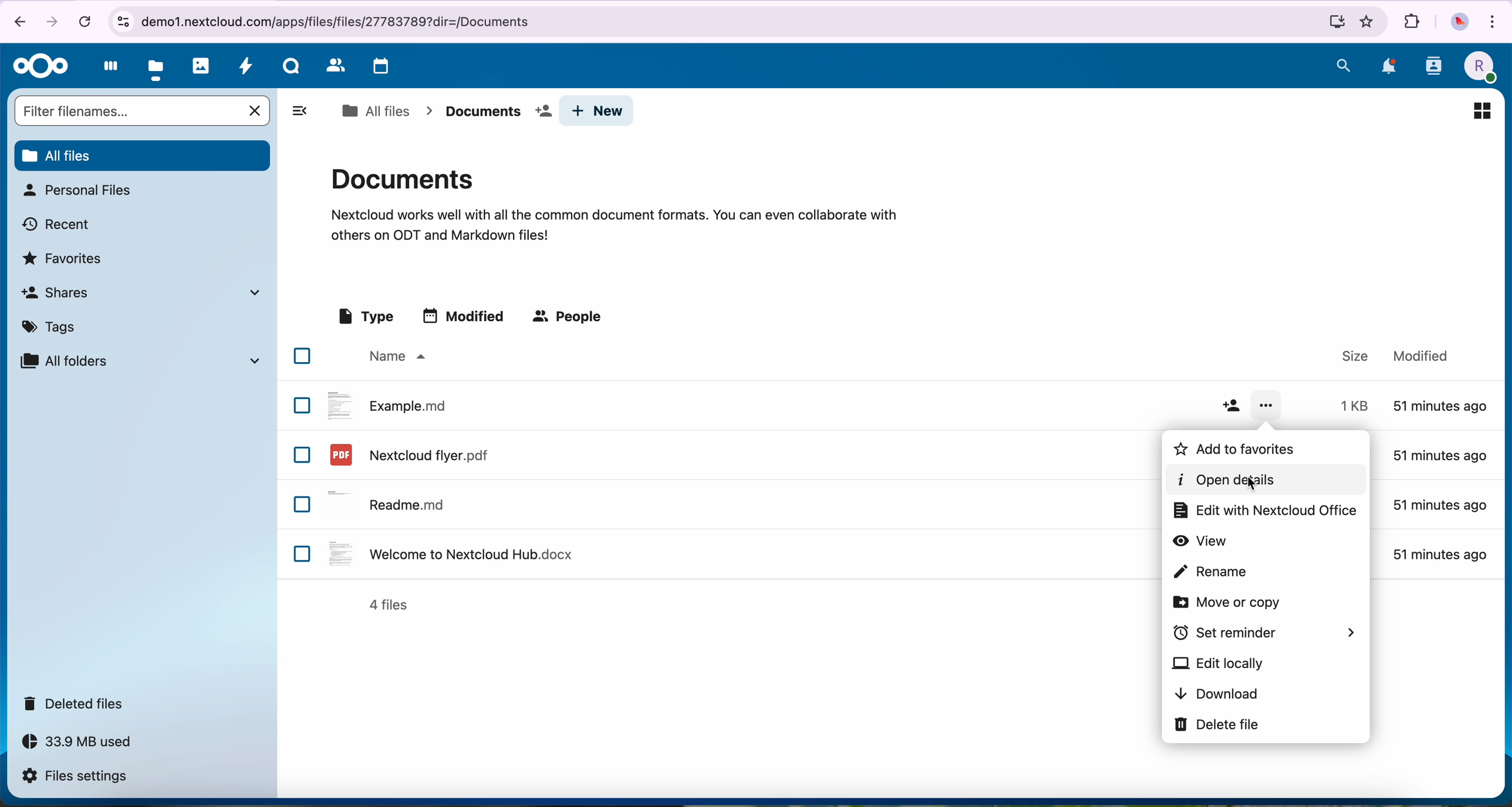 The height and width of the screenshot is (807, 1512). What do you see at coordinates (139, 360) in the screenshot?
I see `all folders tab` at bounding box center [139, 360].